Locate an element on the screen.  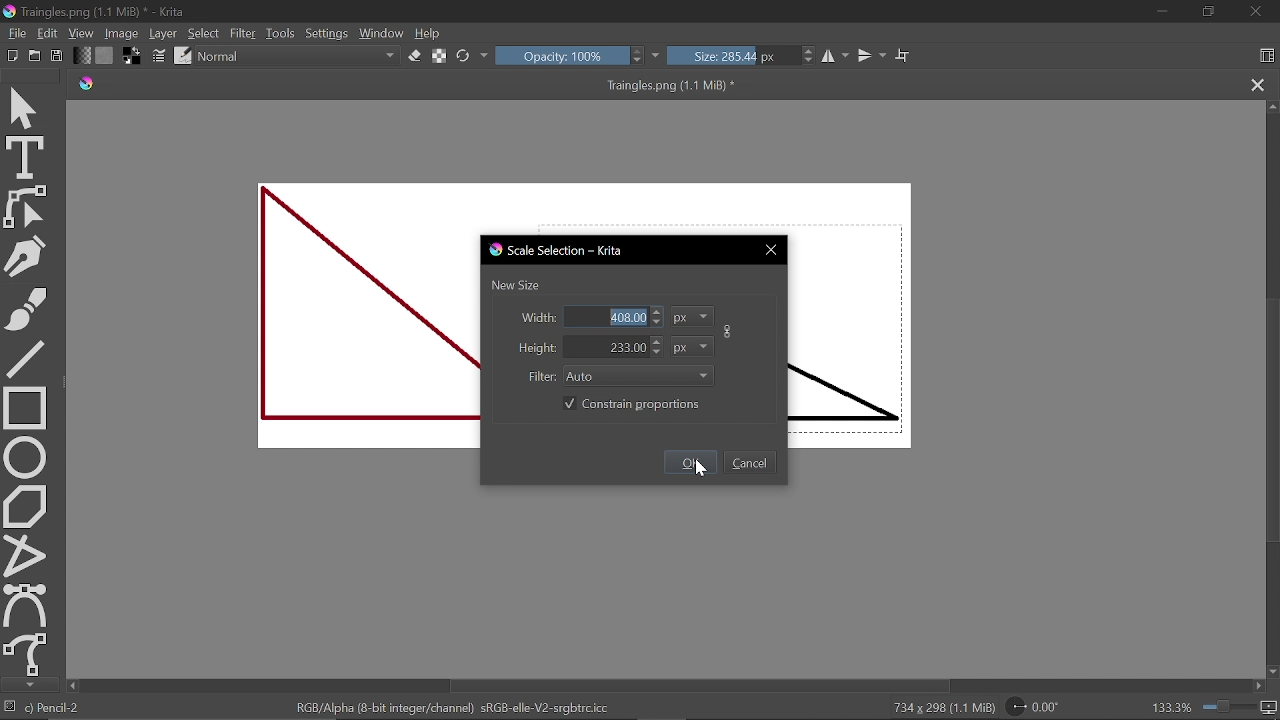
408.00 is located at coordinates (613, 317).